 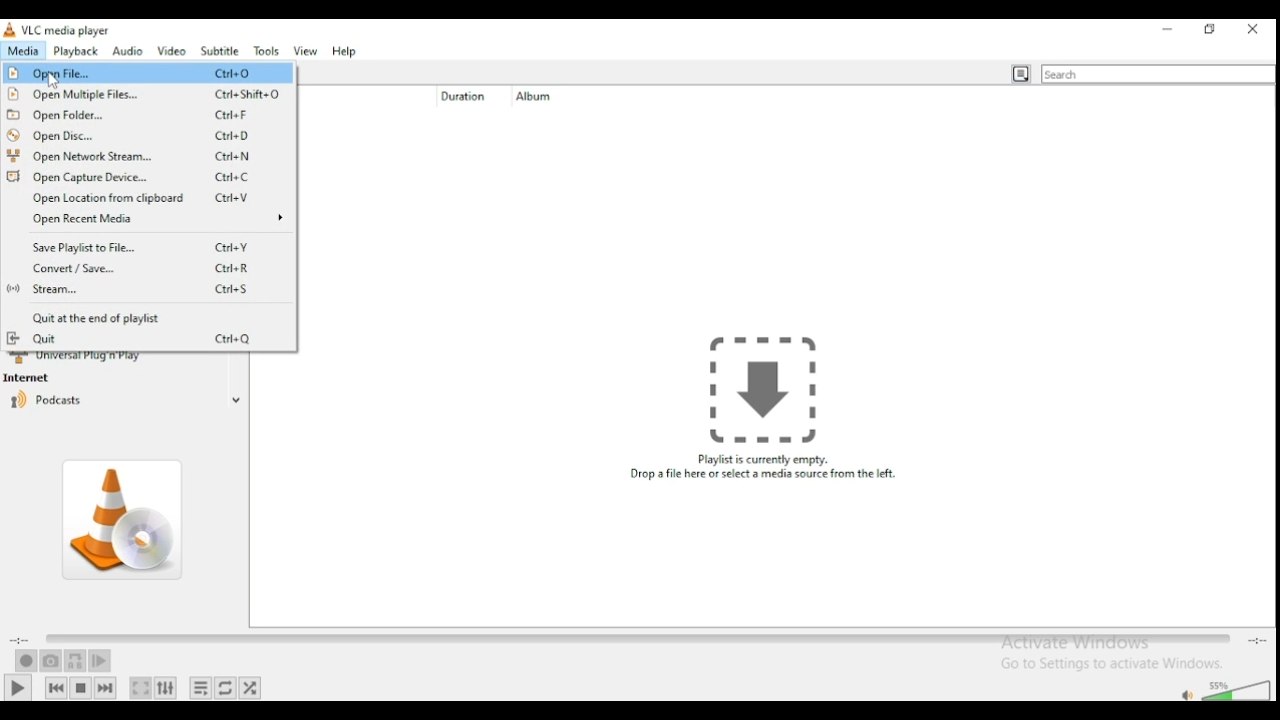 What do you see at coordinates (147, 340) in the screenshot?
I see `quit` at bounding box center [147, 340].